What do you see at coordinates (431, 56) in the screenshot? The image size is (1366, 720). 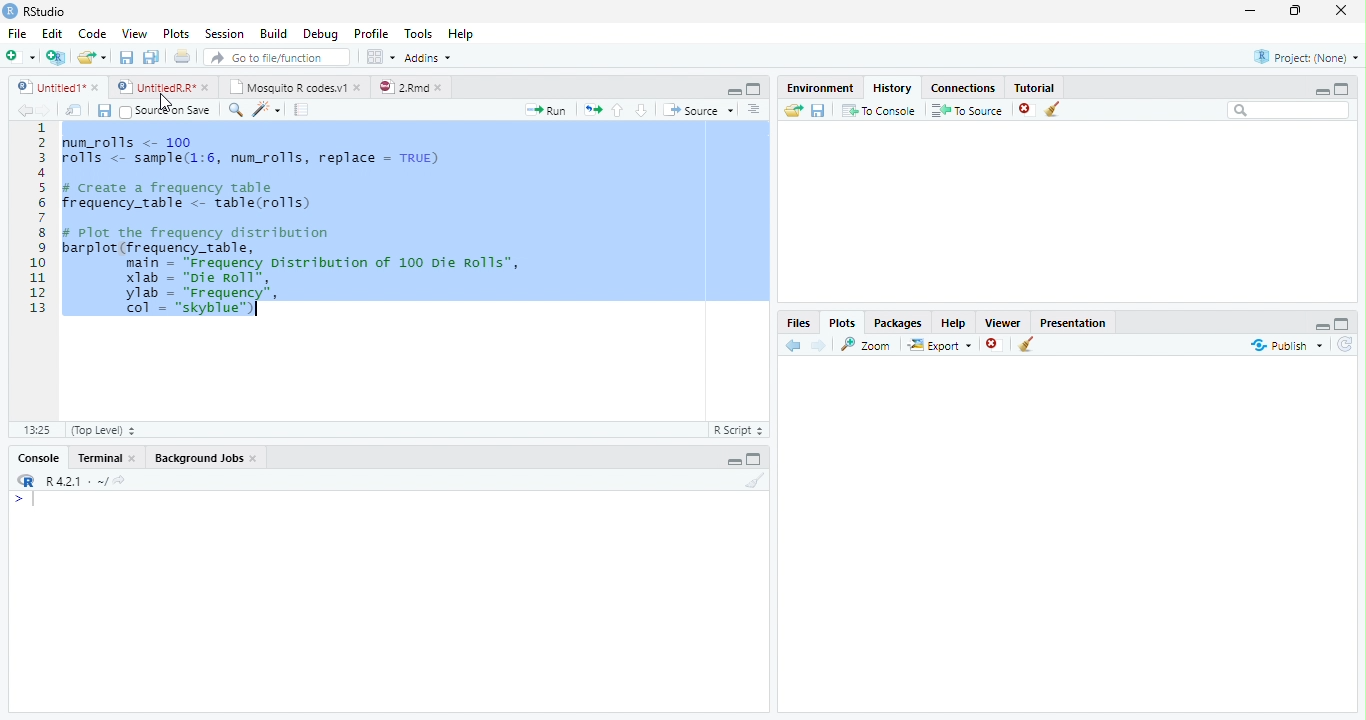 I see `Addins` at bounding box center [431, 56].